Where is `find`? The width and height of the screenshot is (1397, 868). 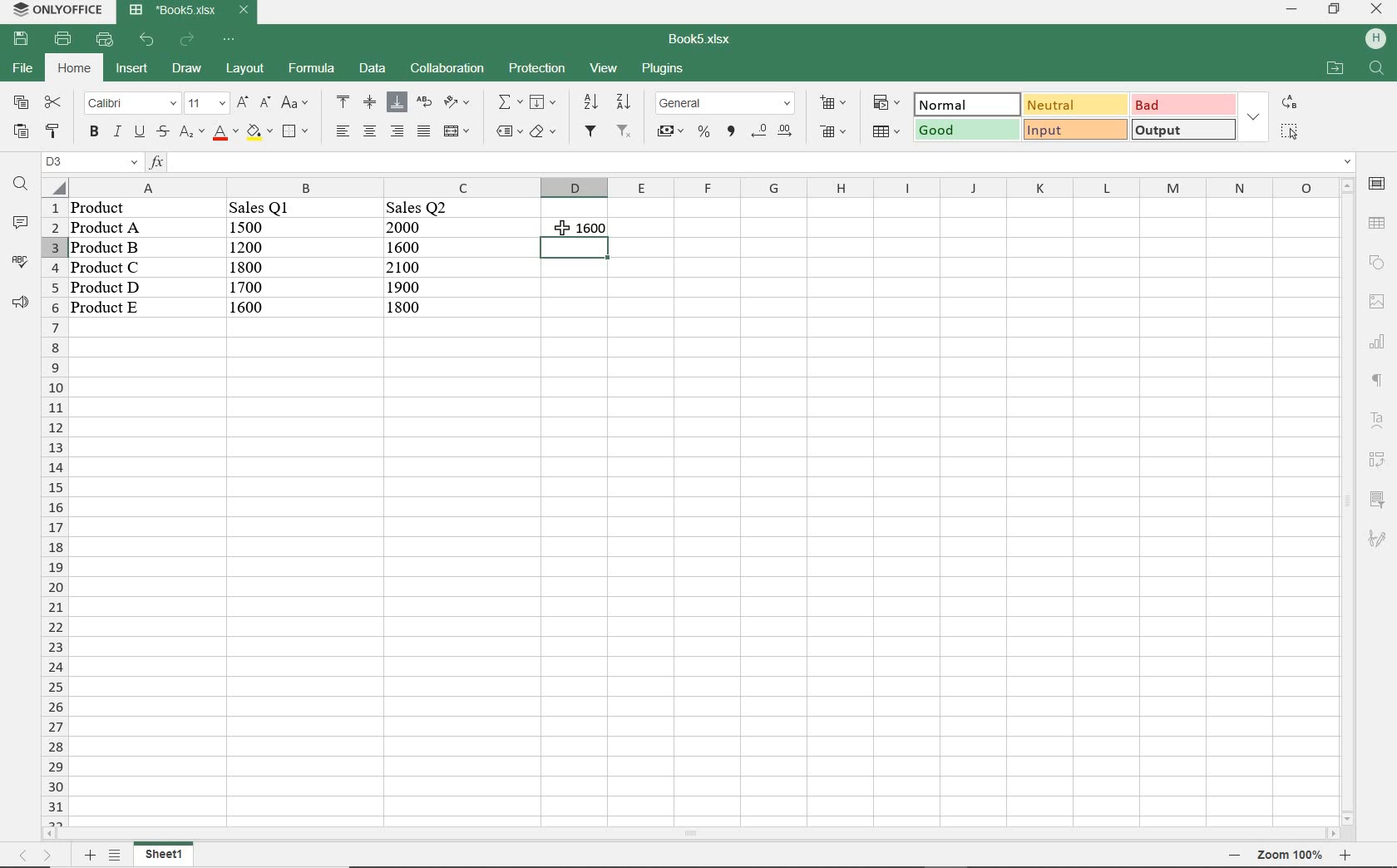 find is located at coordinates (1378, 69).